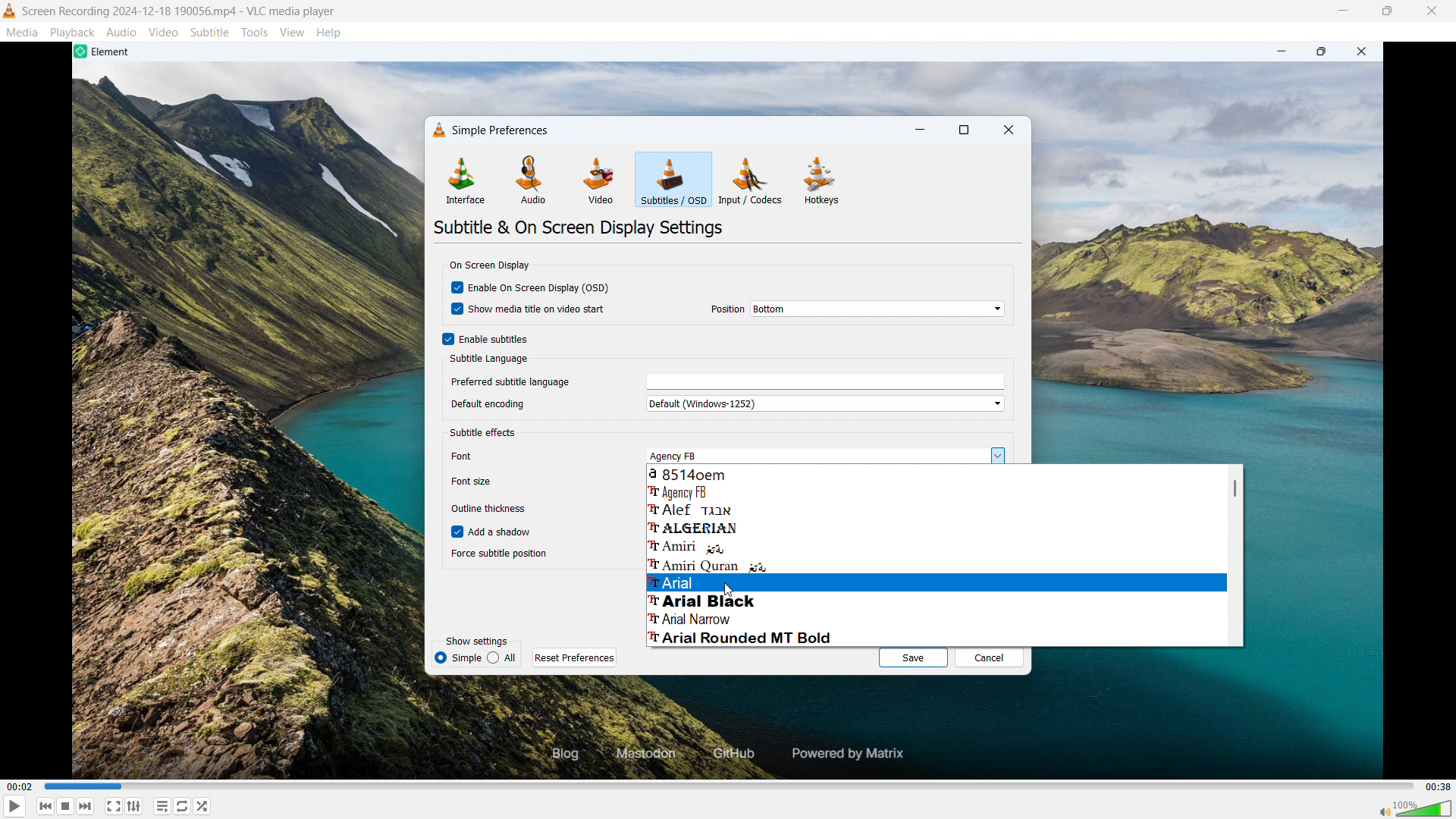  What do you see at coordinates (73, 32) in the screenshot?
I see `playback` at bounding box center [73, 32].